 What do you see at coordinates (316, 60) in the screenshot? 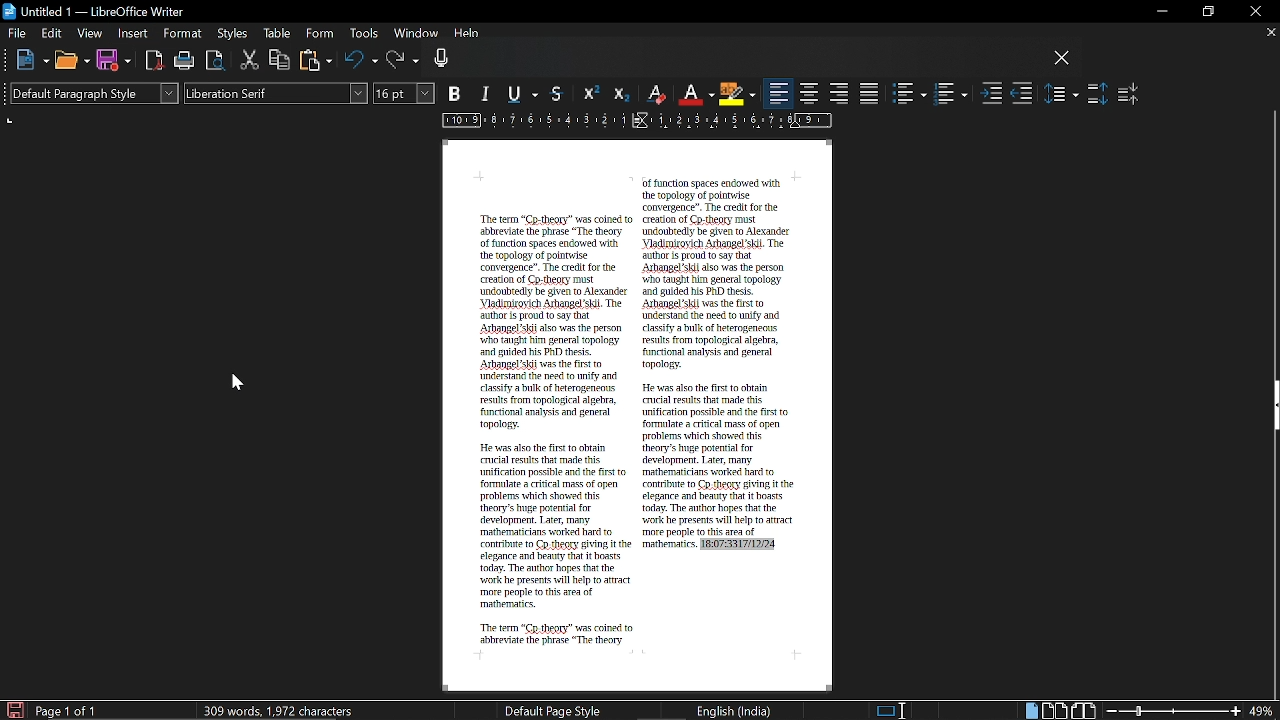
I see `Paste` at bounding box center [316, 60].